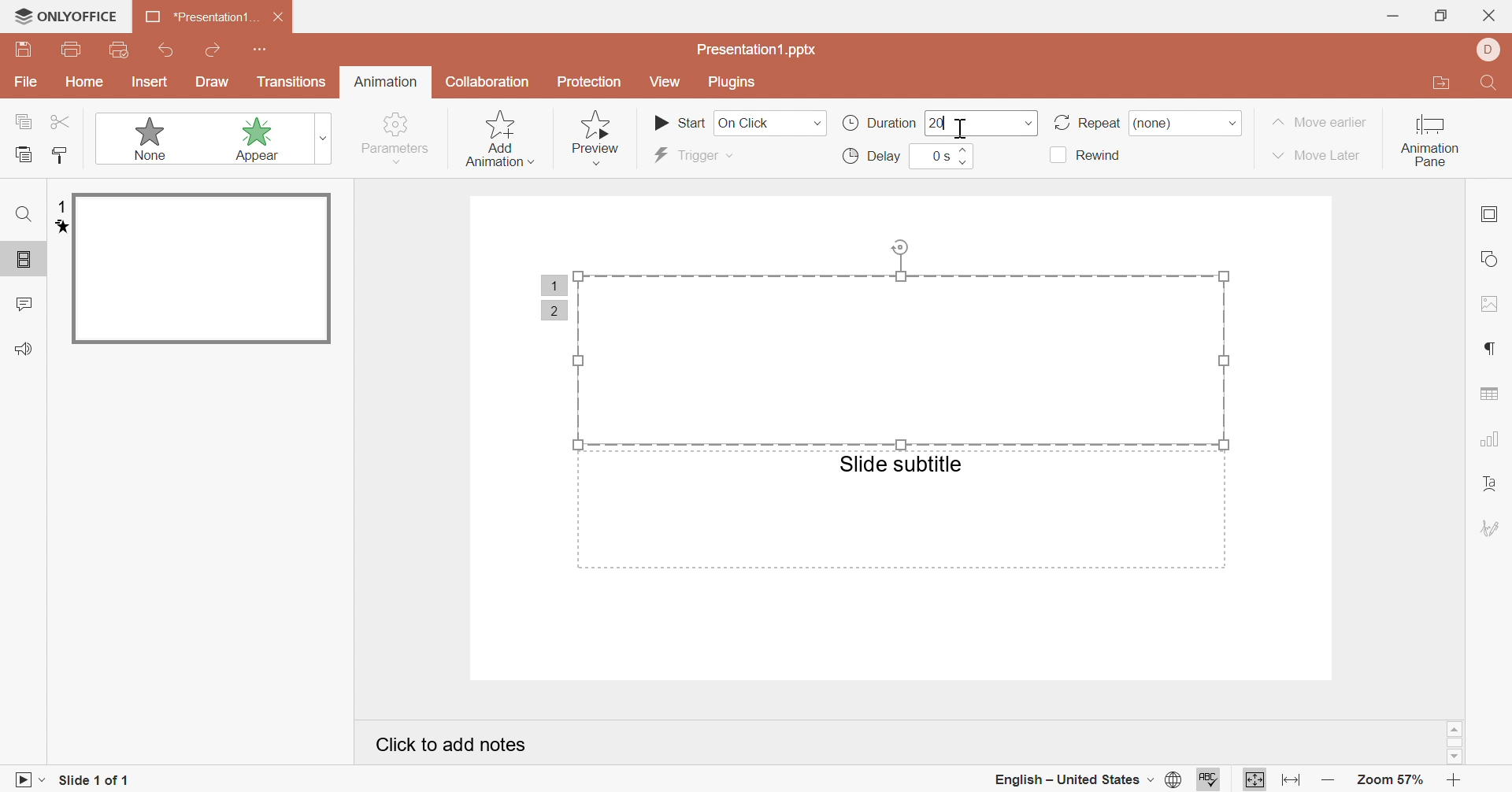 Image resolution: width=1512 pixels, height=792 pixels. Describe the element at coordinates (73, 48) in the screenshot. I see `print` at that location.